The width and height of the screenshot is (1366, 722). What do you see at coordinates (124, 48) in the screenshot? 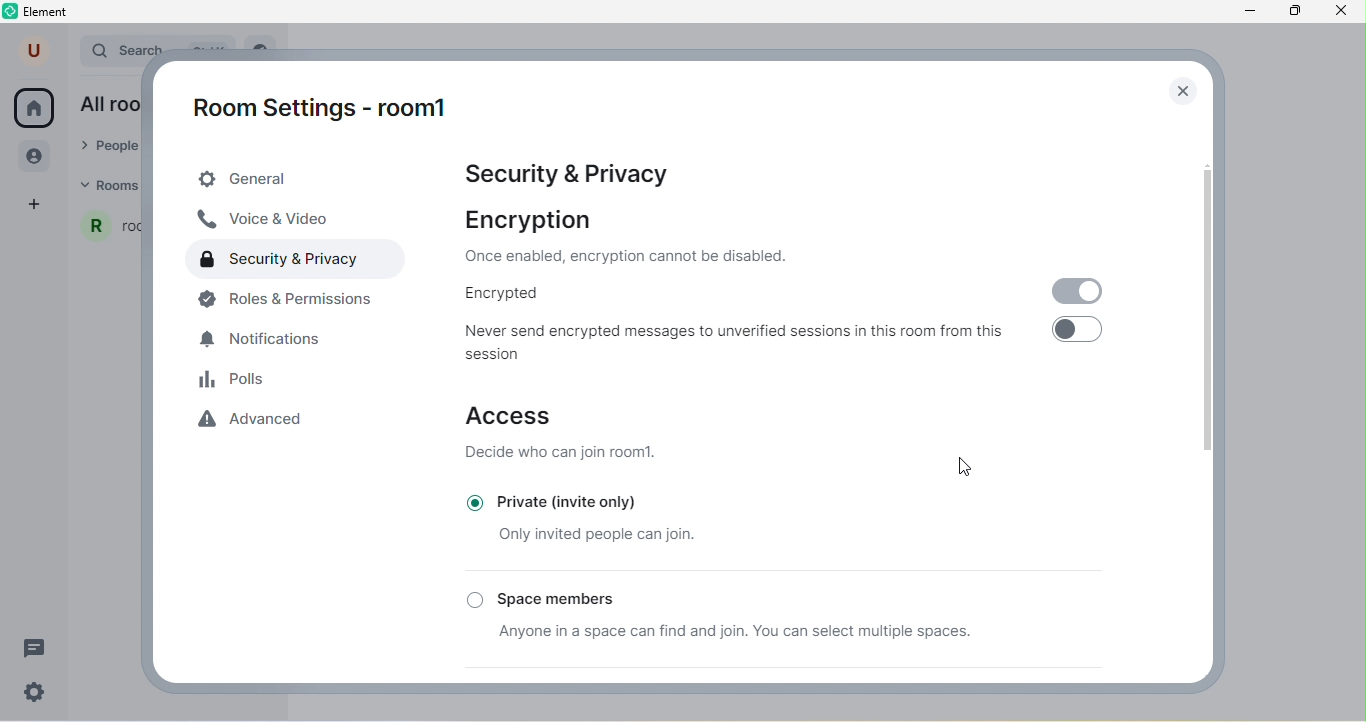
I see `search bar` at bounding box center [124, 48].